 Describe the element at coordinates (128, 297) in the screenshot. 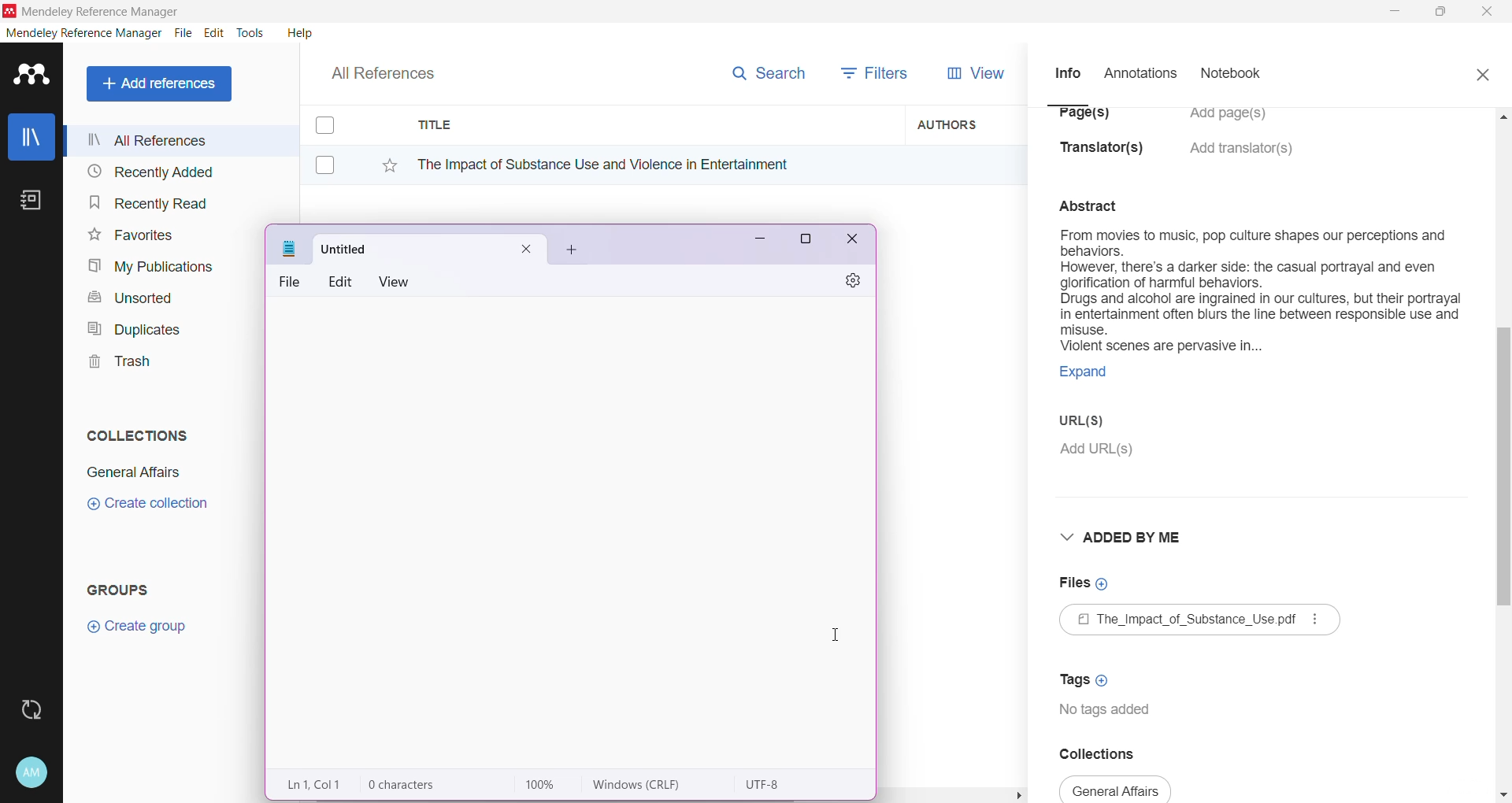

I see `Unsorted` at that location.